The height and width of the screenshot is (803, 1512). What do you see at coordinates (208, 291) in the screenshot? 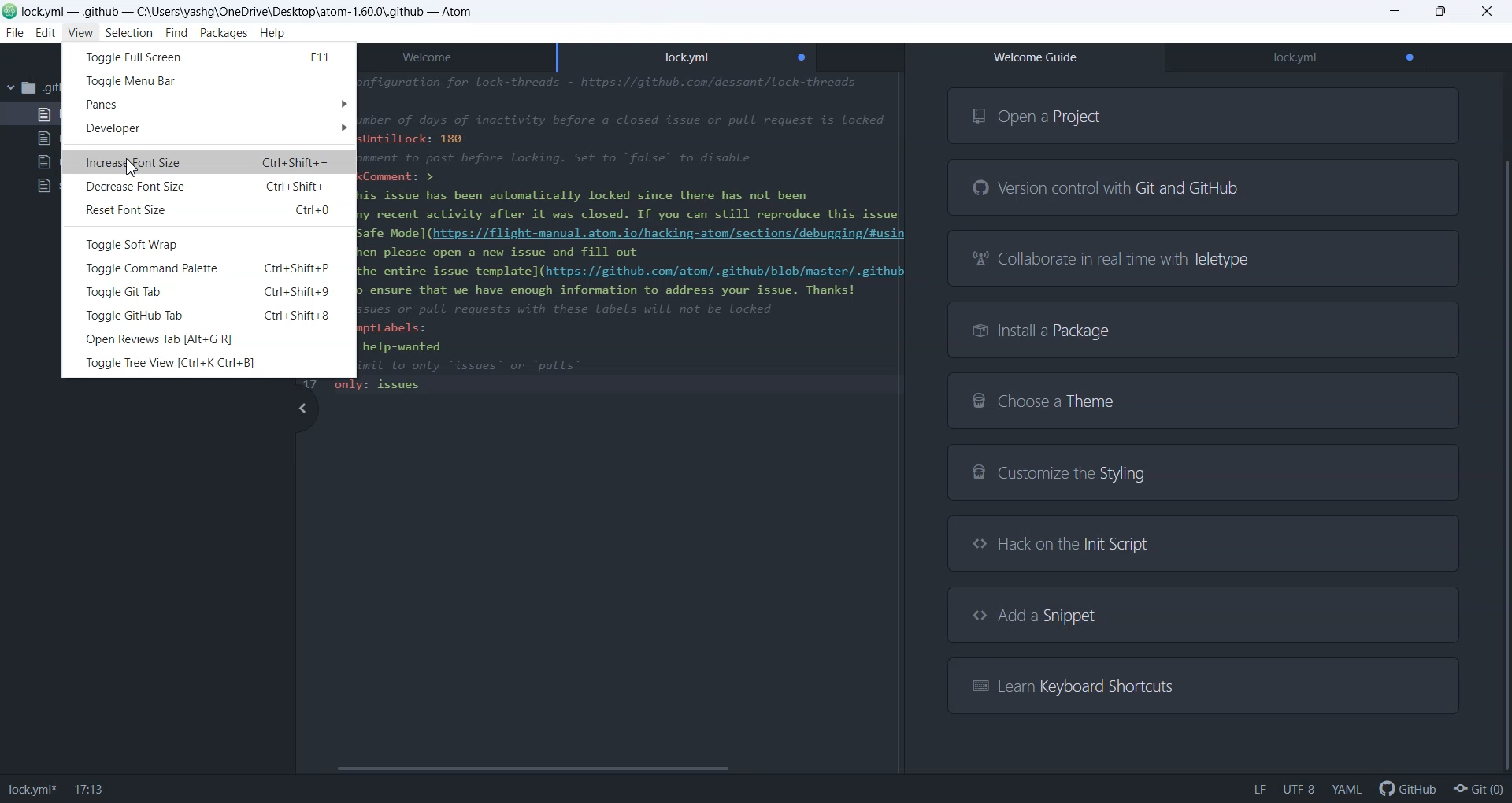
I see `Toggle Git tab` at bounding box center [208, 291].